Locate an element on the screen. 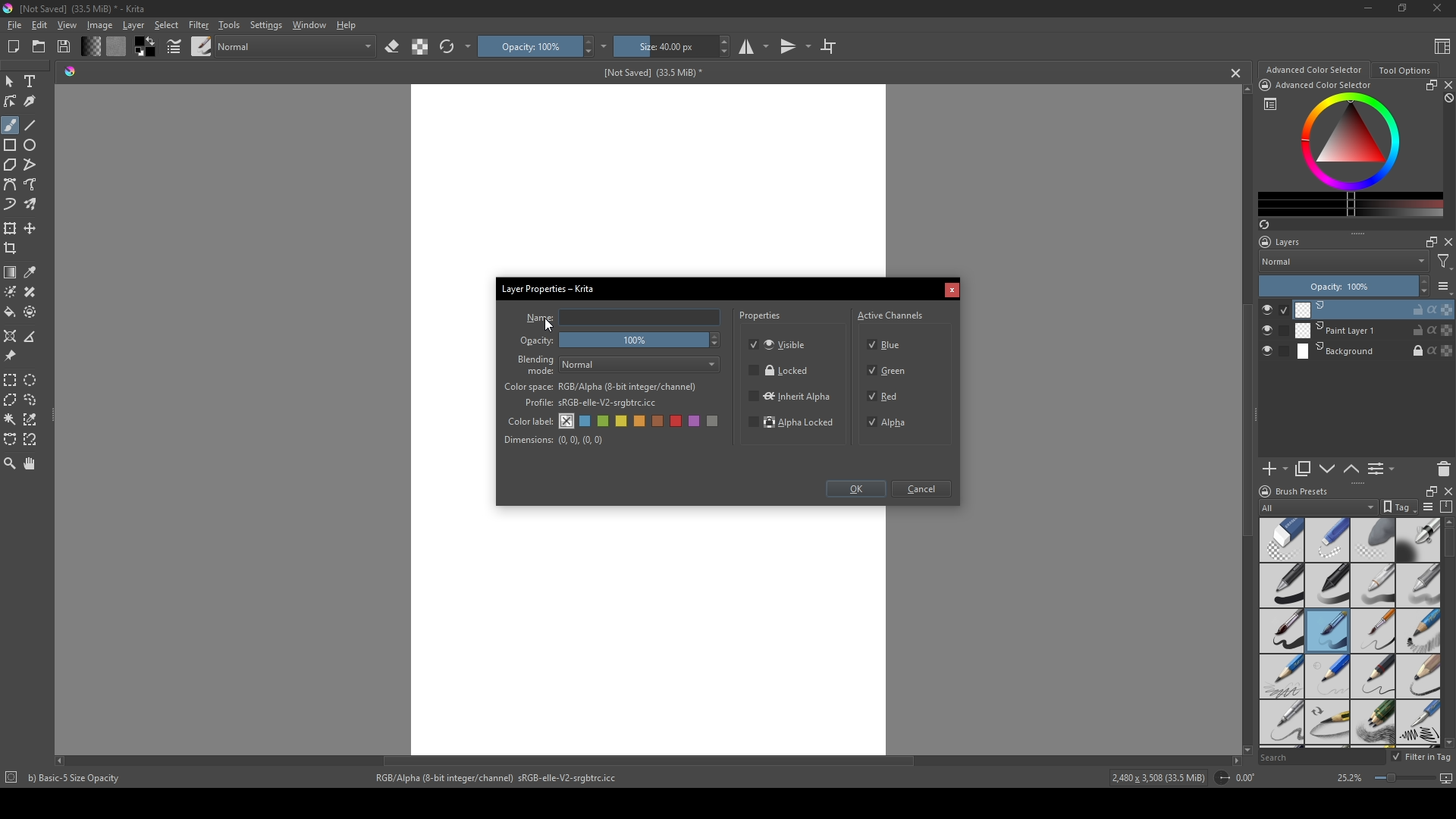  Image is located at coordinates (99, 25).